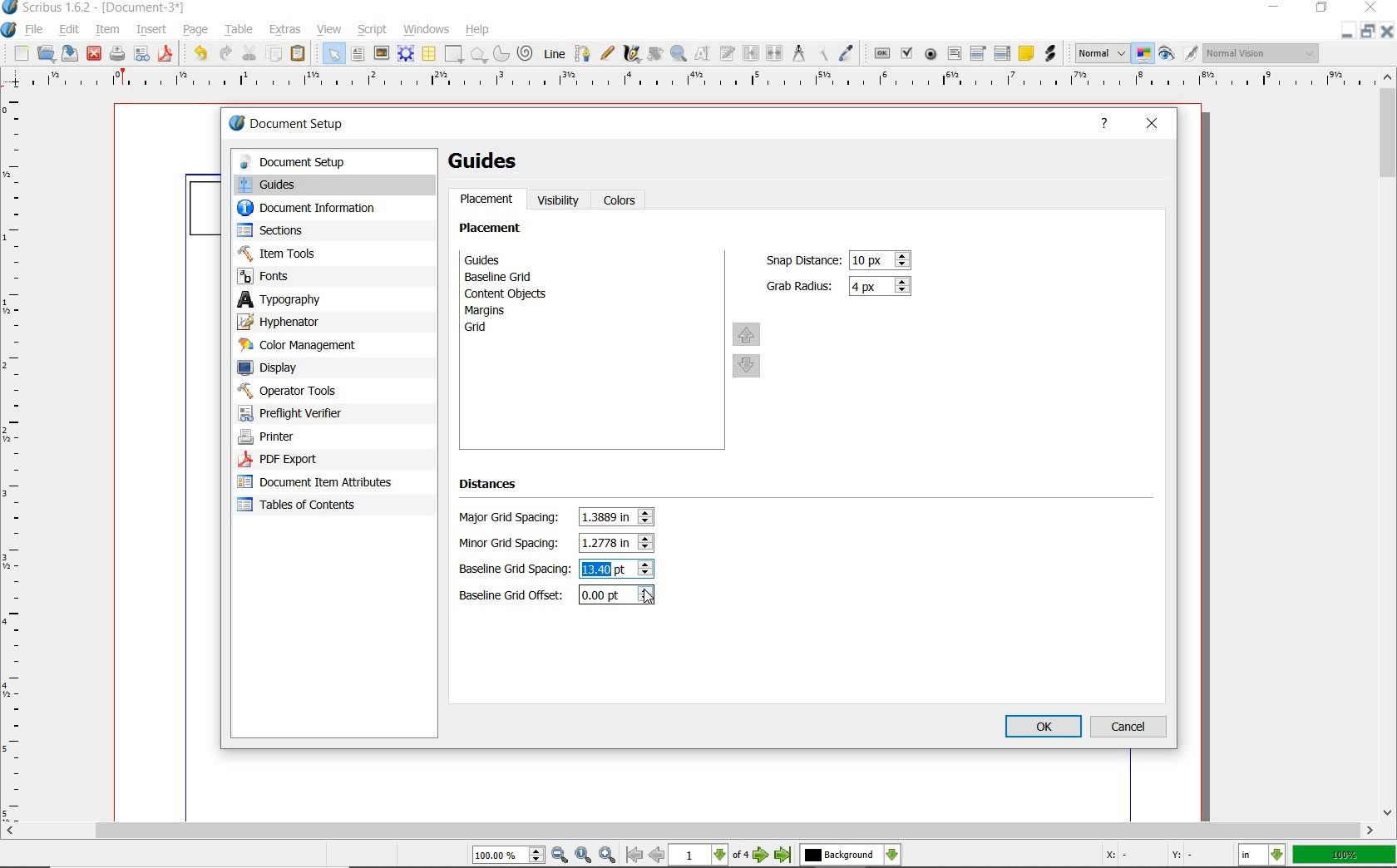 The width and height of the screenshot is (1397, 868). What do you see at coordinates (503, 277) in the screenshot?
I see `baseline grid` at bounding box center [503, 277].